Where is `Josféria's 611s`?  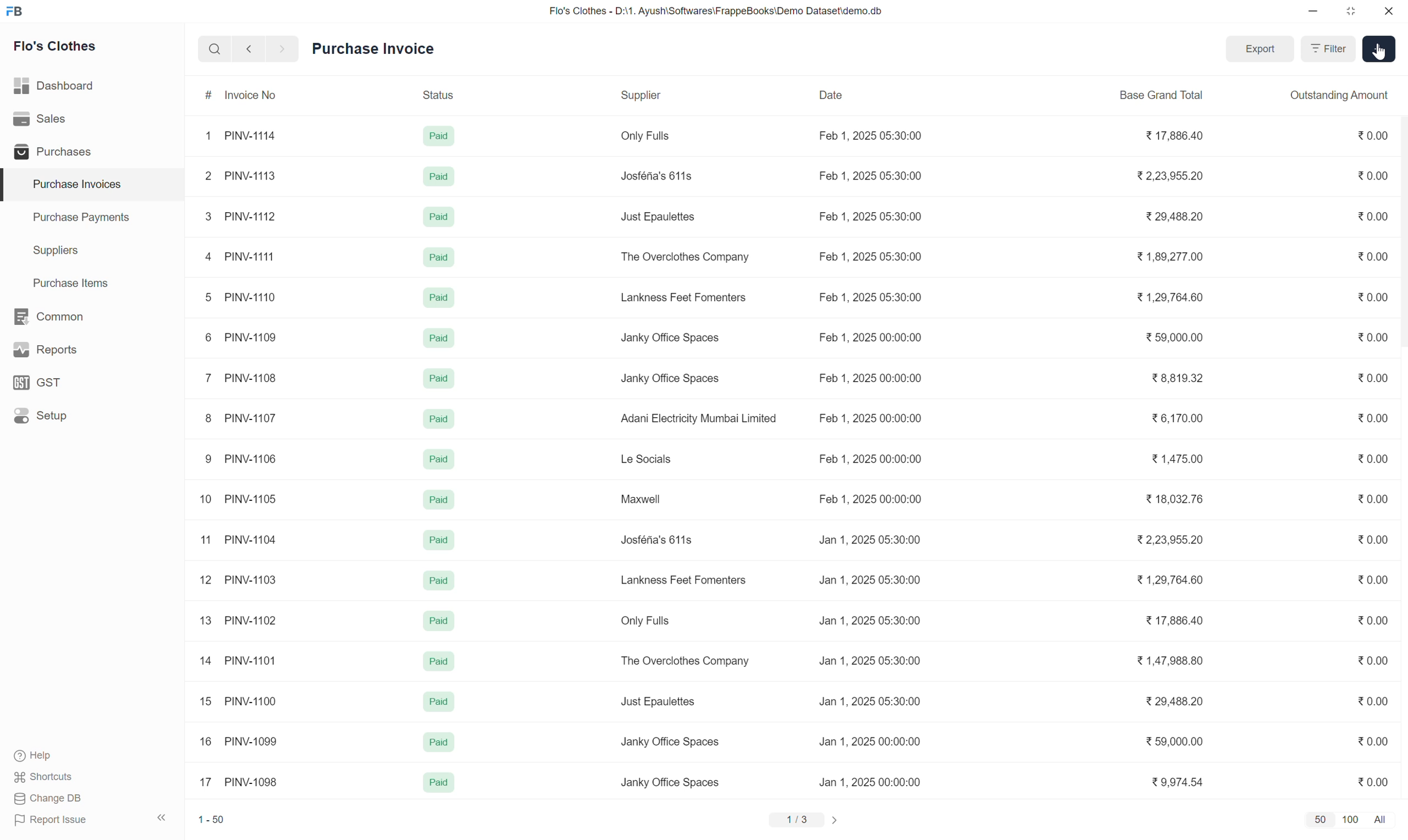 Josféria's 611s is located at coordinates (656, 539).